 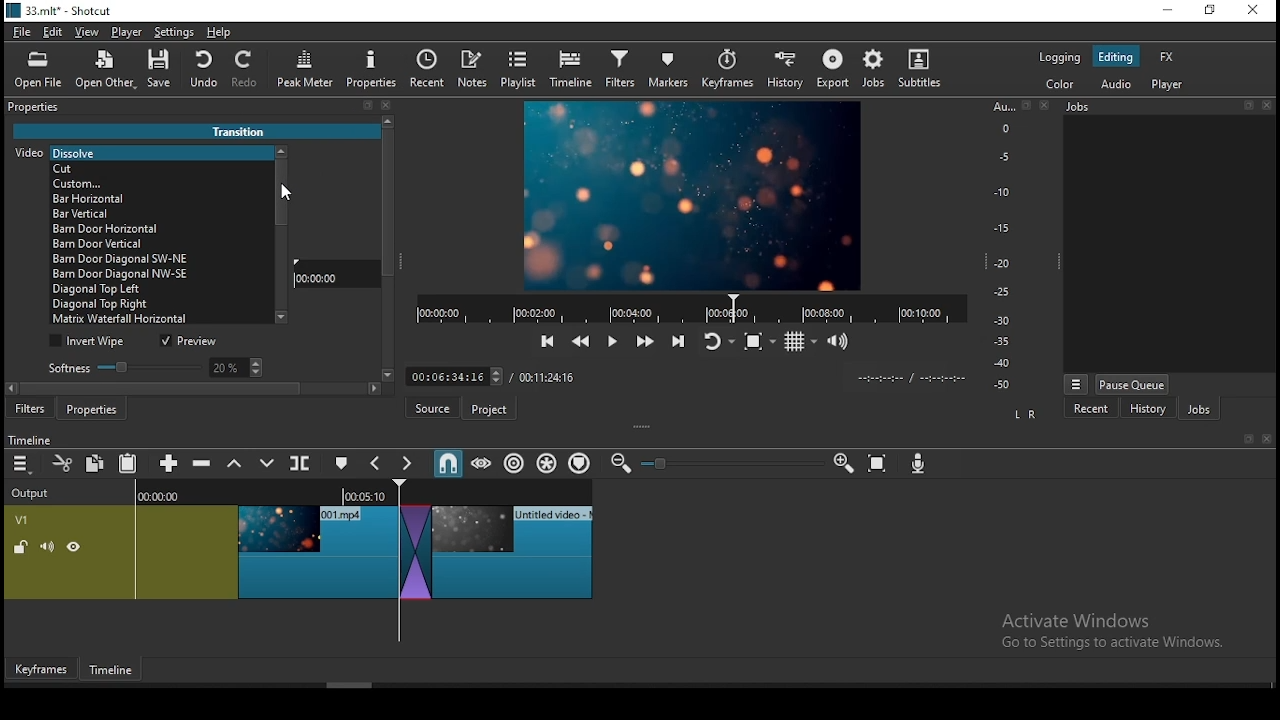 I want to click on open file, so click(x=43, y=72).